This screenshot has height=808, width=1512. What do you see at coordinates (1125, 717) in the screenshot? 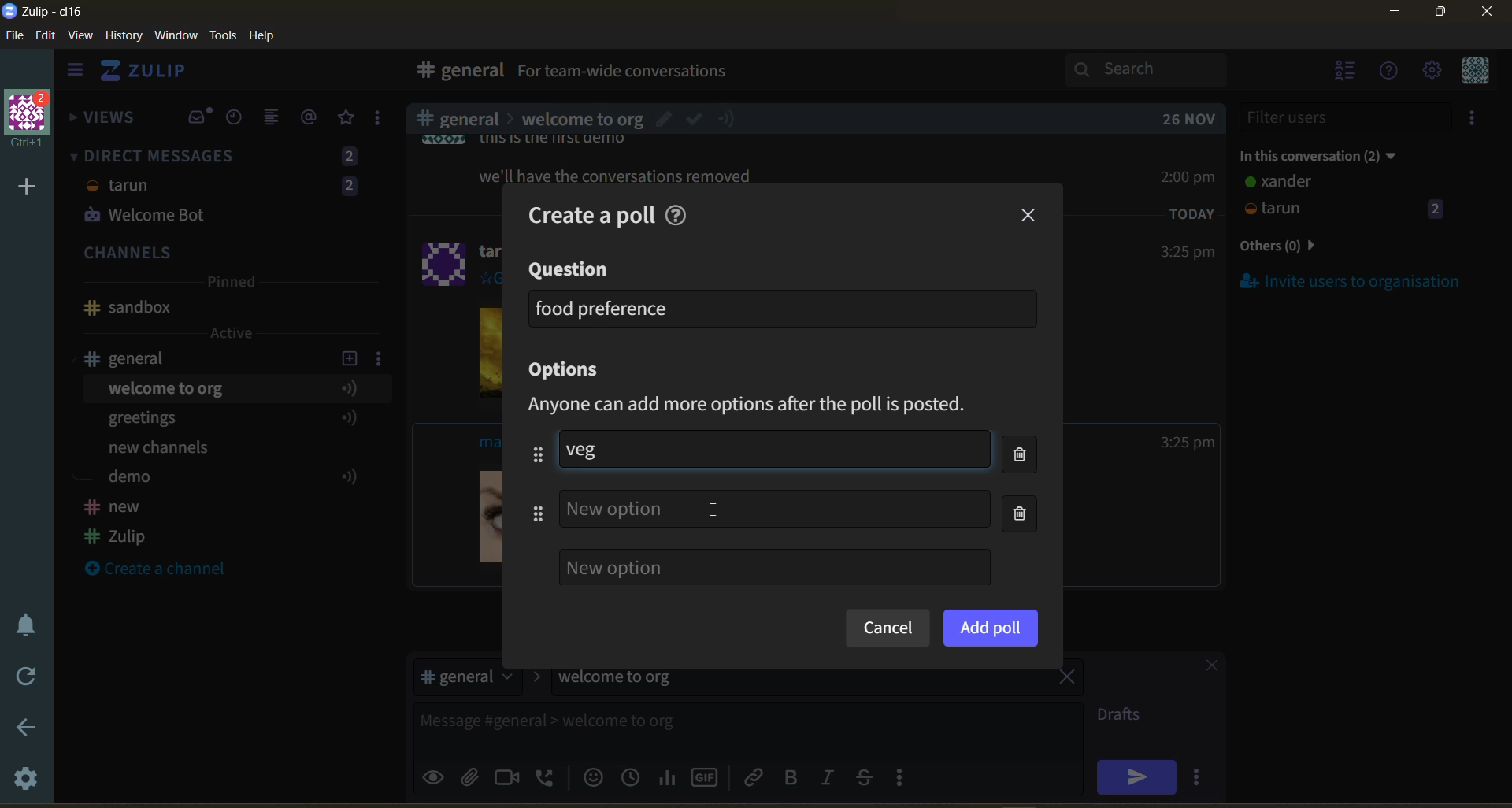
I see `drafts` at bounding box center [1125, 717].